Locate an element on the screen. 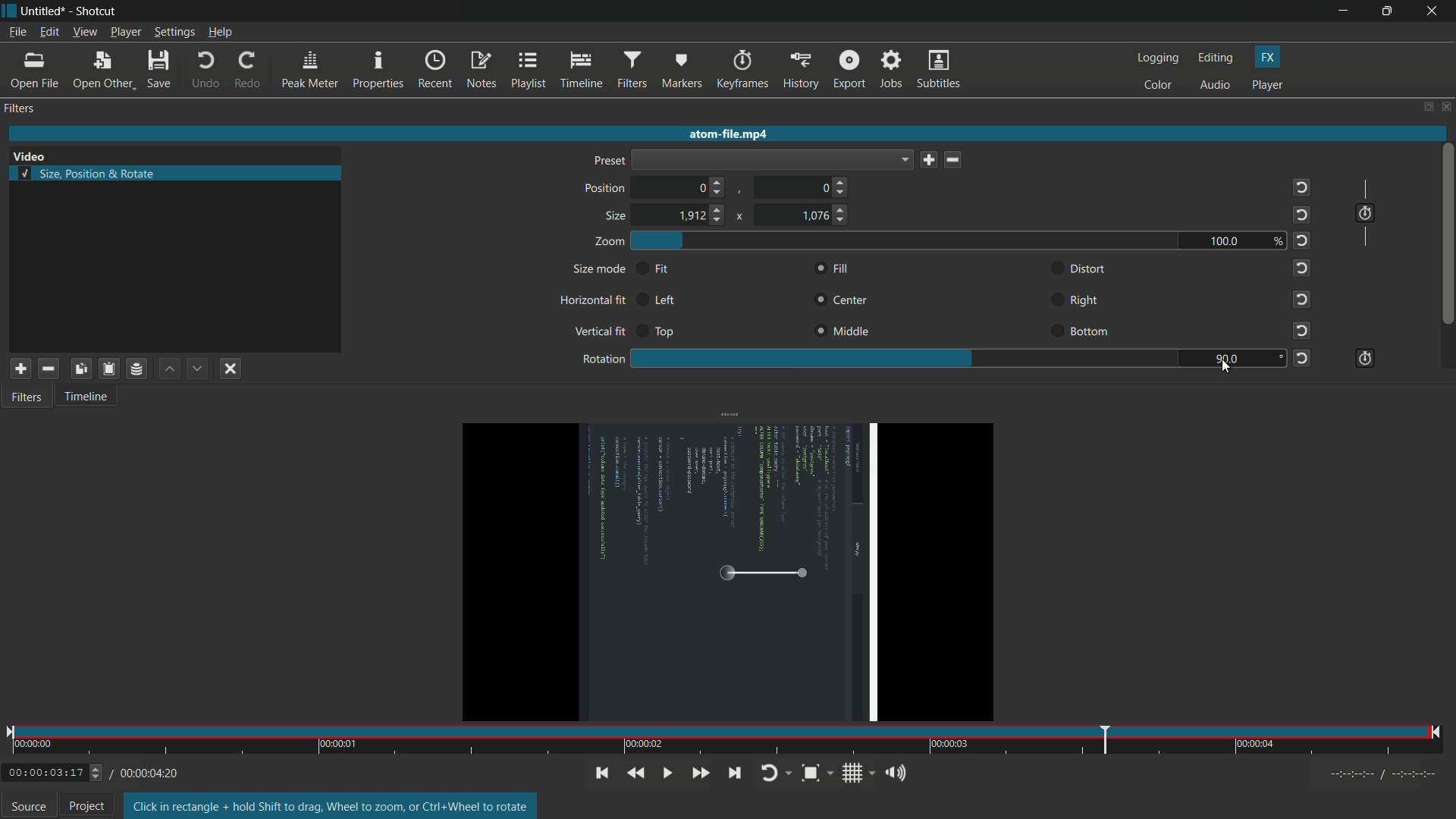 The image size is (1456, 819). left is located at coordinates (666, 301).